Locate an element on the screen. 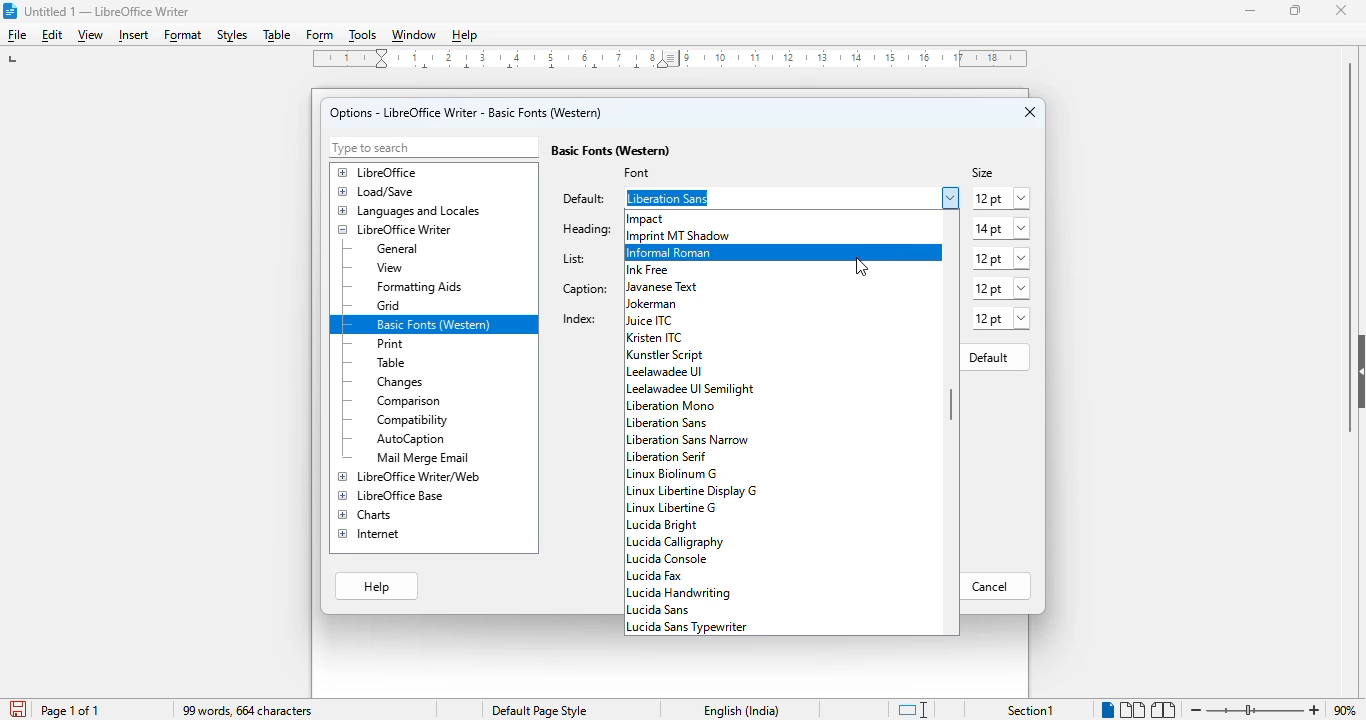 The height and width of the screenshot is (720, 1366). 14 pt is located at coordinates (1001, 228).